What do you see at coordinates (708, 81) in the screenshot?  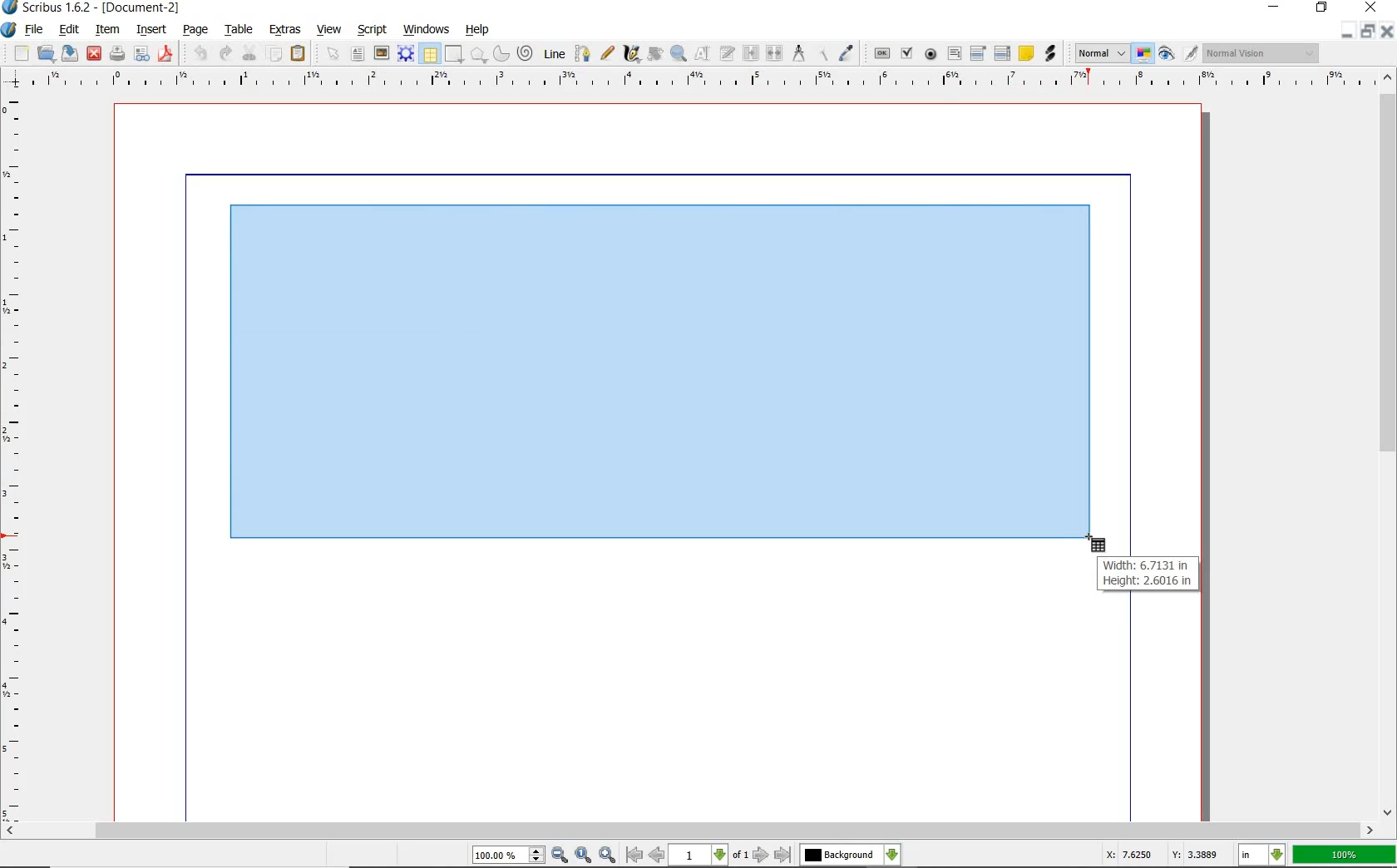 I see `ruler` at bounding box center [708, 81].